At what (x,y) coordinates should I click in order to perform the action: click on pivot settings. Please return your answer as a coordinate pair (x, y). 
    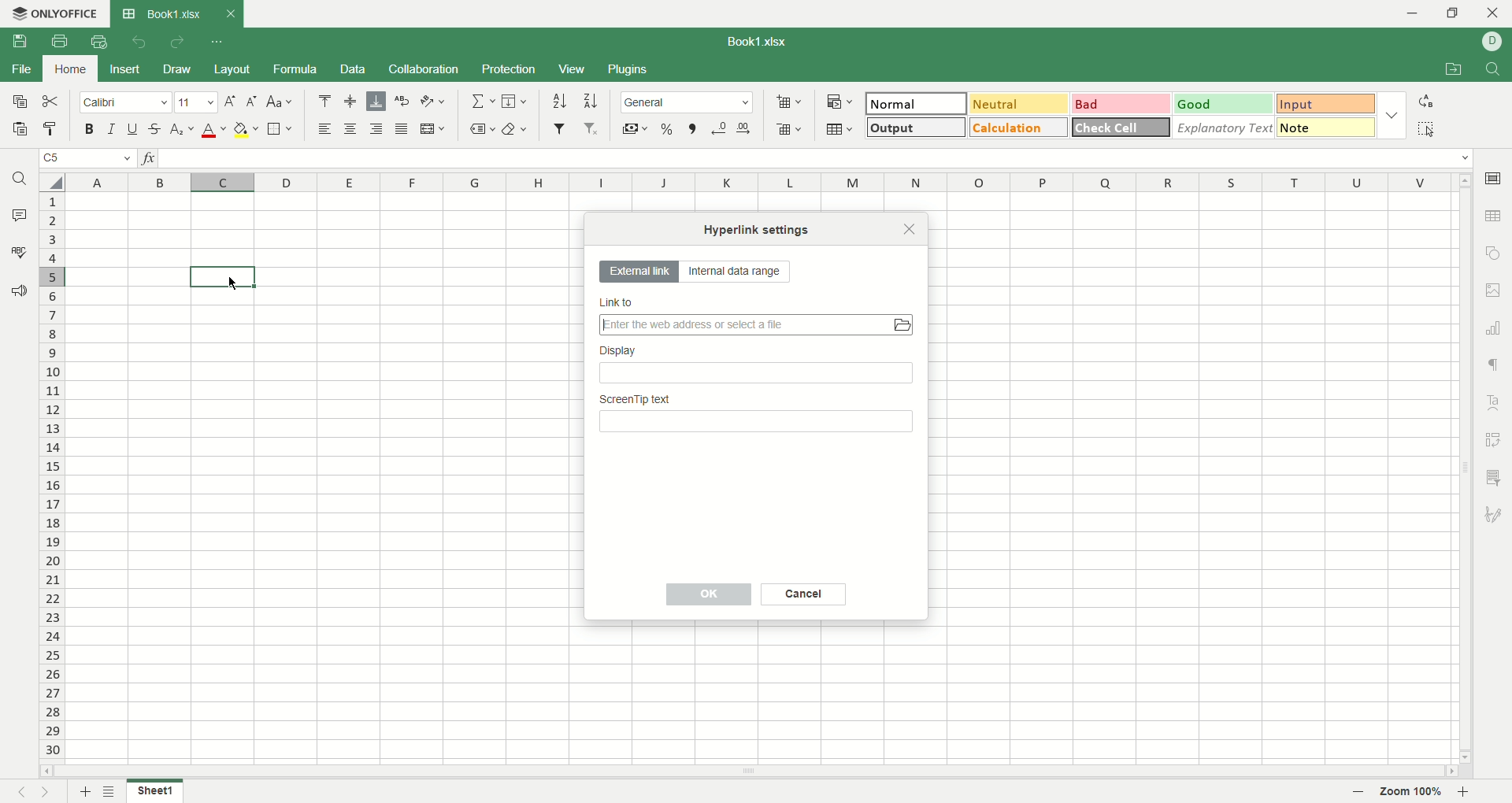
    Looking at the image, I should click on (1495, 439).